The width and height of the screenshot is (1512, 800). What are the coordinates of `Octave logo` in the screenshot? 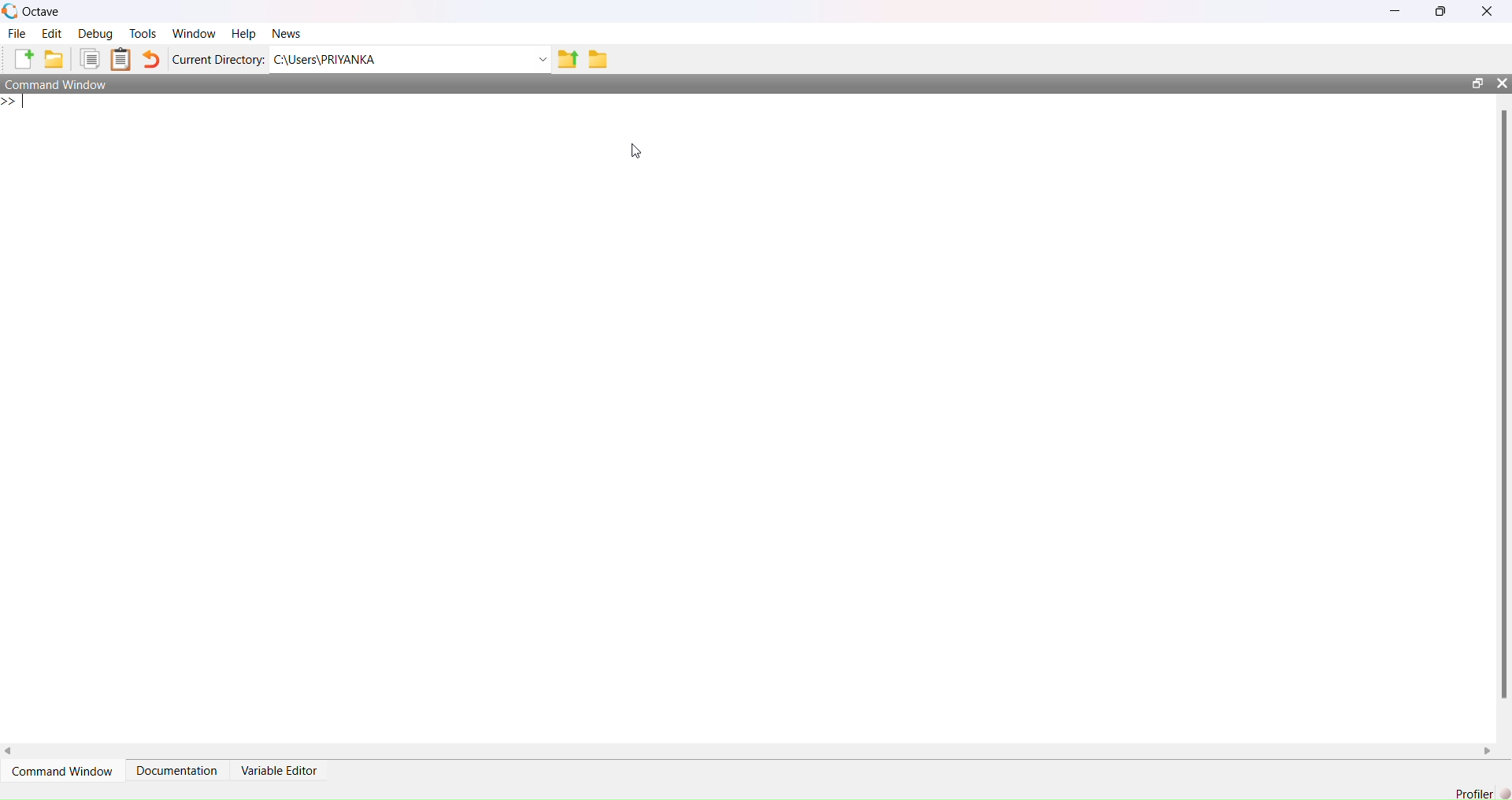 It's located at (10, 10).